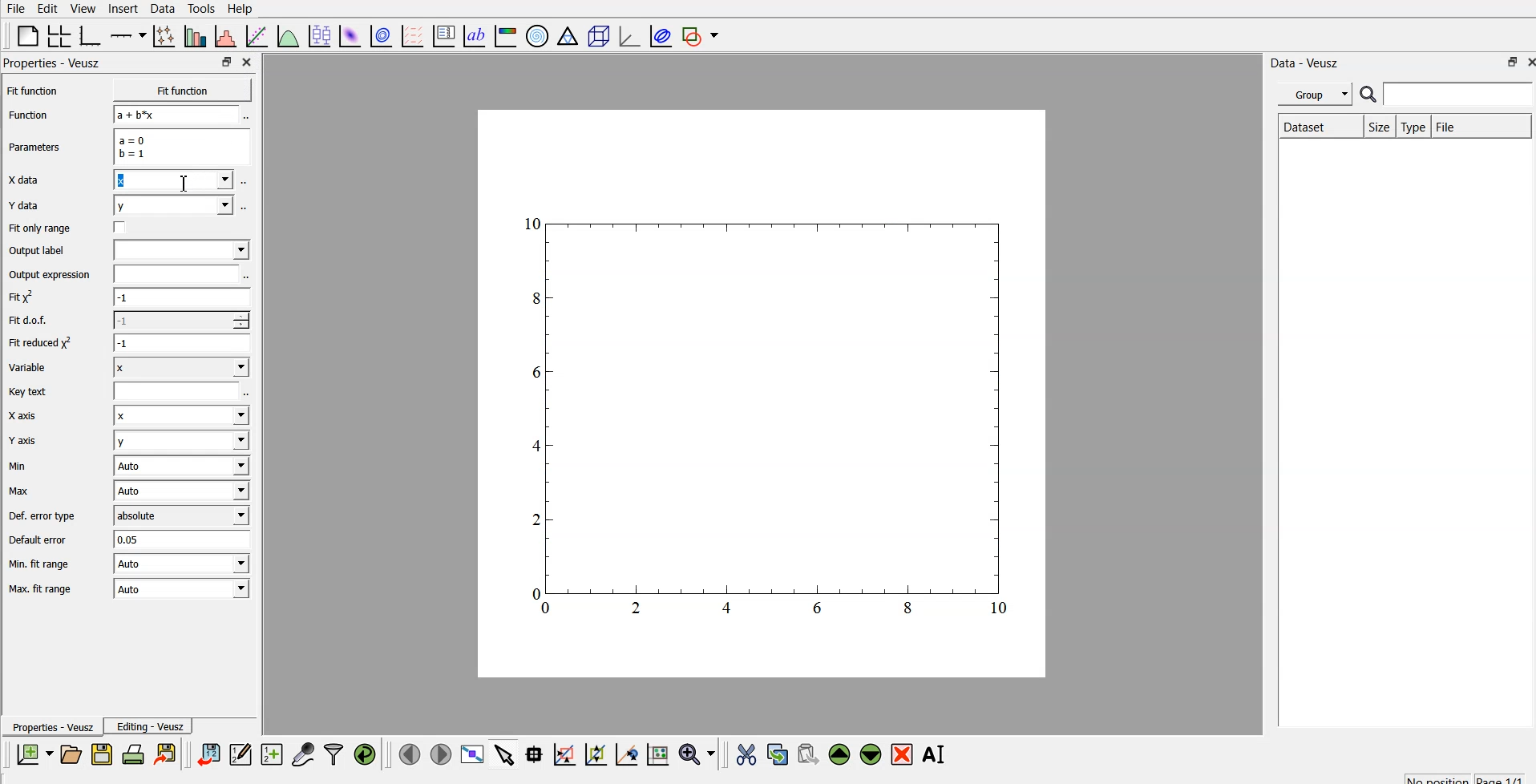  Describe the element at coordinates (45, 91) in the screenshot. I see `Fit function` at that location.